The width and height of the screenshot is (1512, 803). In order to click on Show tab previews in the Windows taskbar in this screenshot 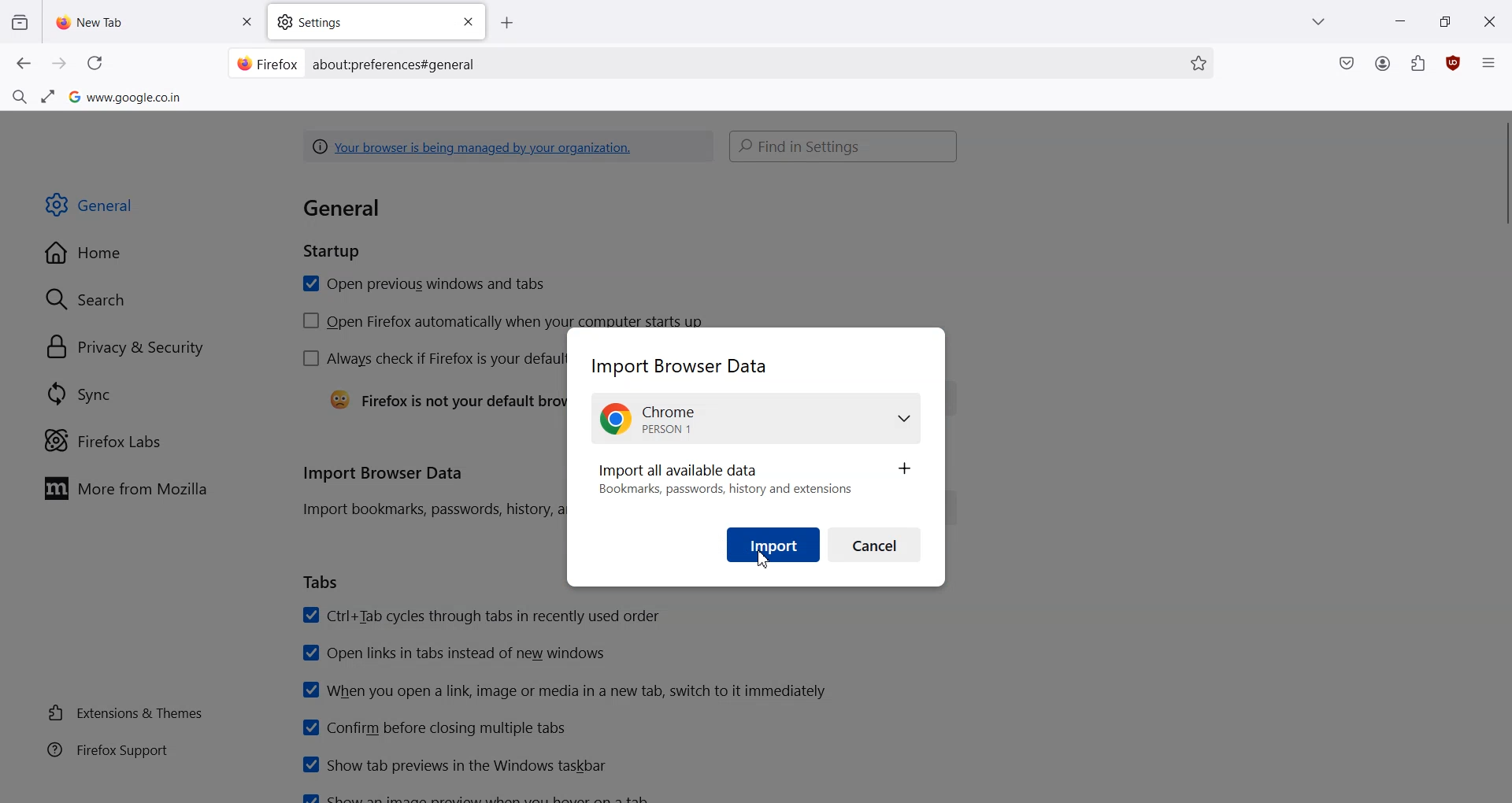, I will do `click(453, 764)`.